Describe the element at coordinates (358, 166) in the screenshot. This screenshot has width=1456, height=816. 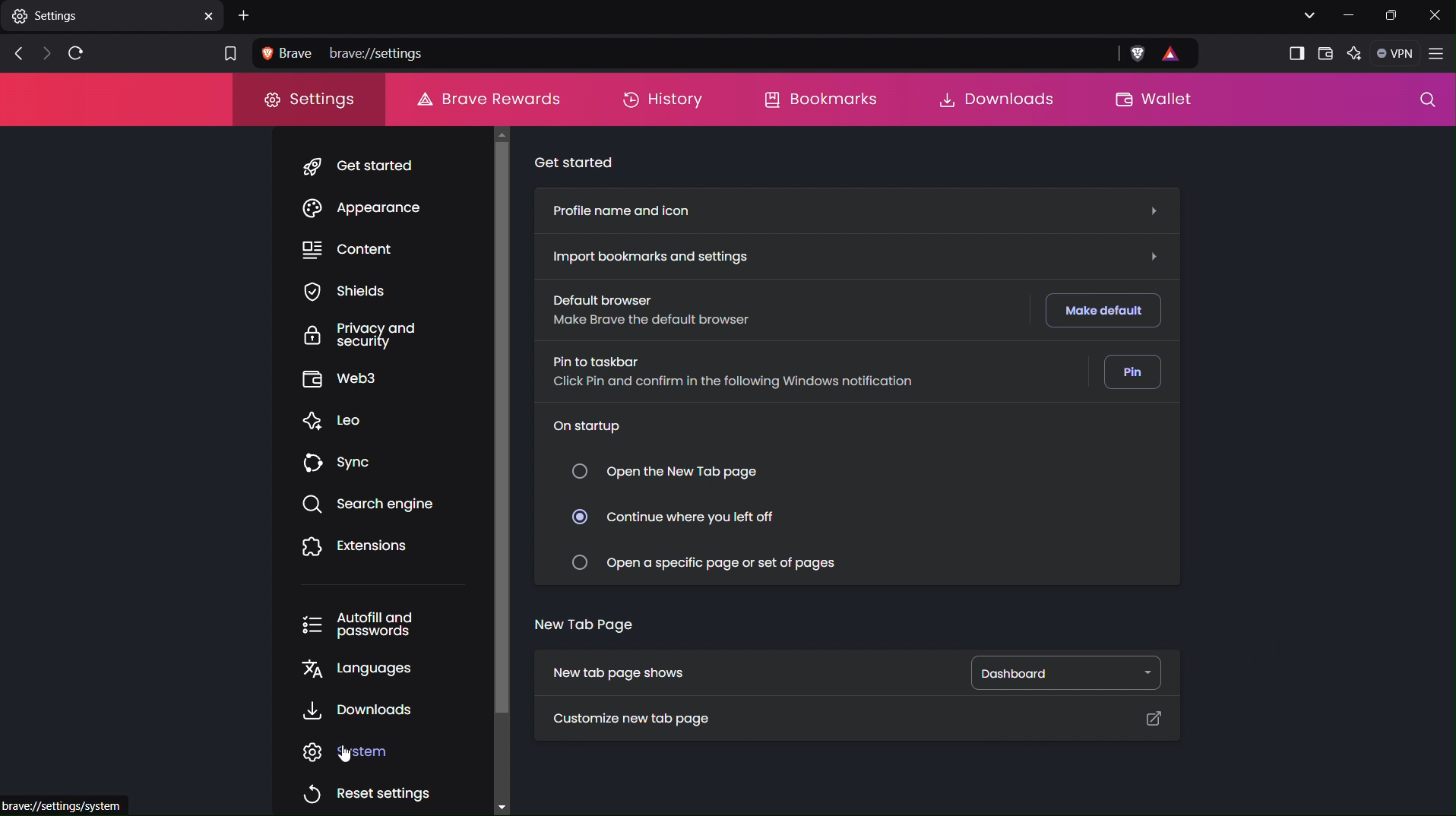
I see `Get started` at that location.